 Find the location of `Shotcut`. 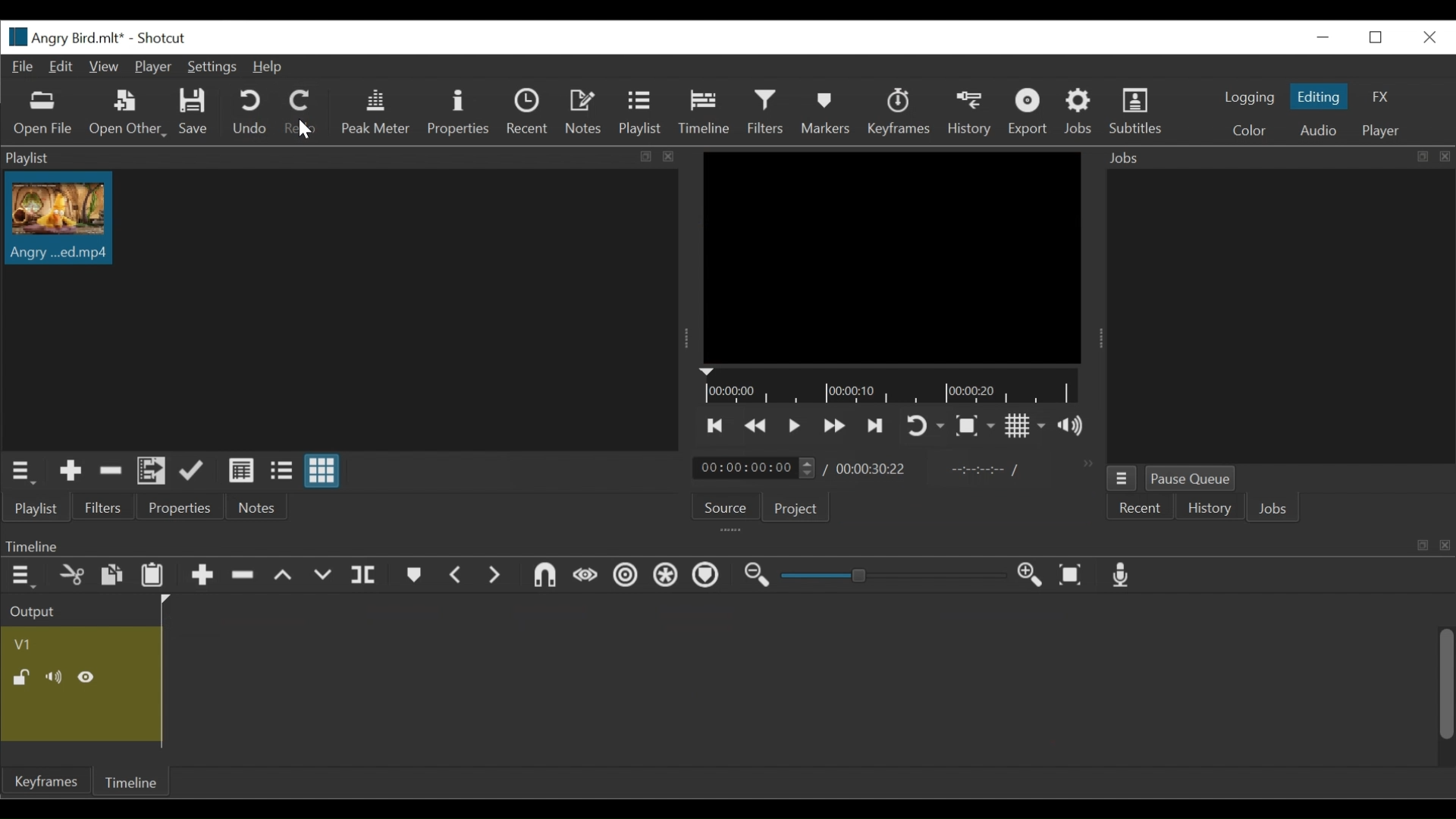

Shotcut is located at coordinates (157, 39).